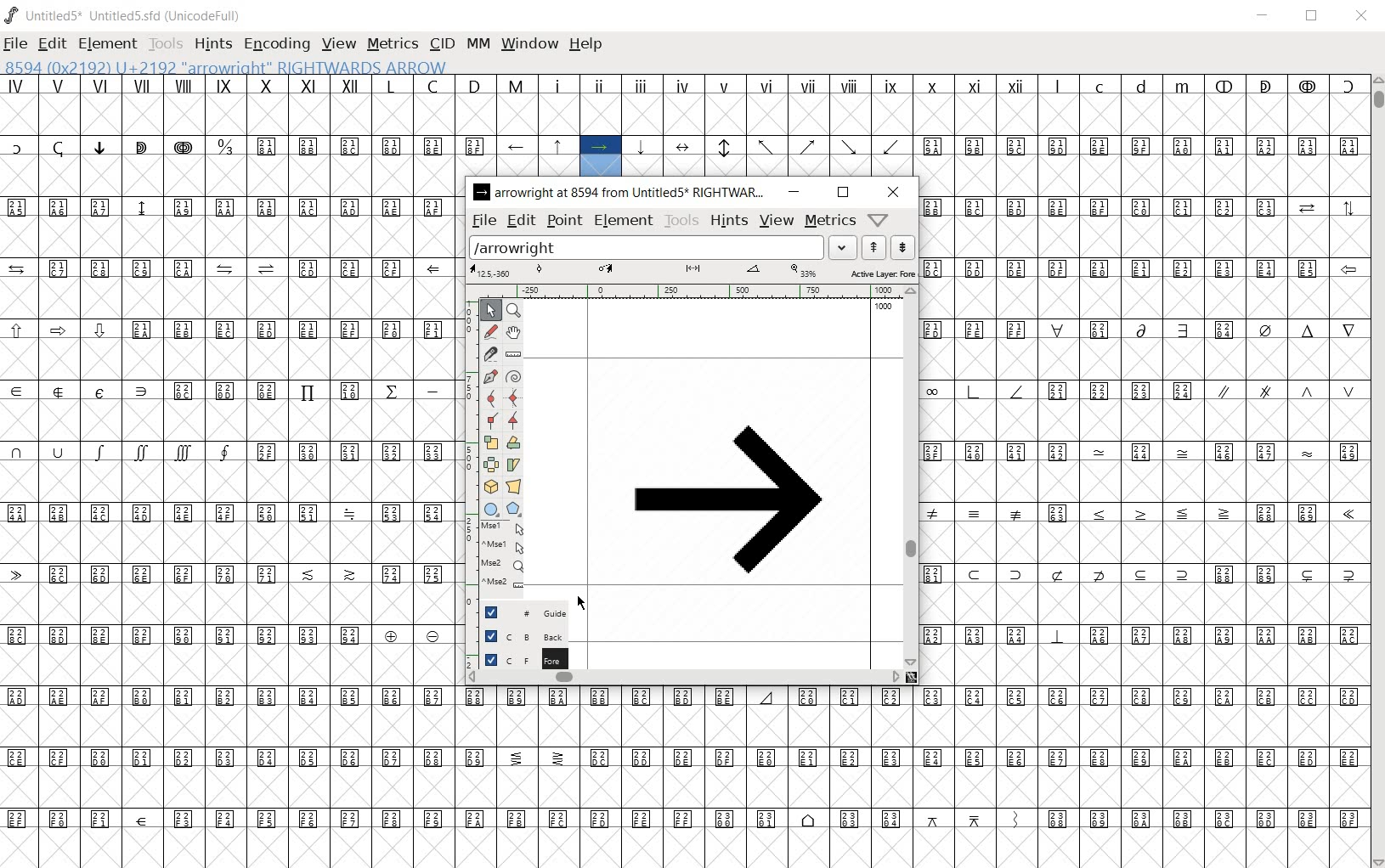 This screenshot has height=868, width=1385. Describe the element at coordinates (227, 472) in the screenshot. I see `glyph characters` at that location.